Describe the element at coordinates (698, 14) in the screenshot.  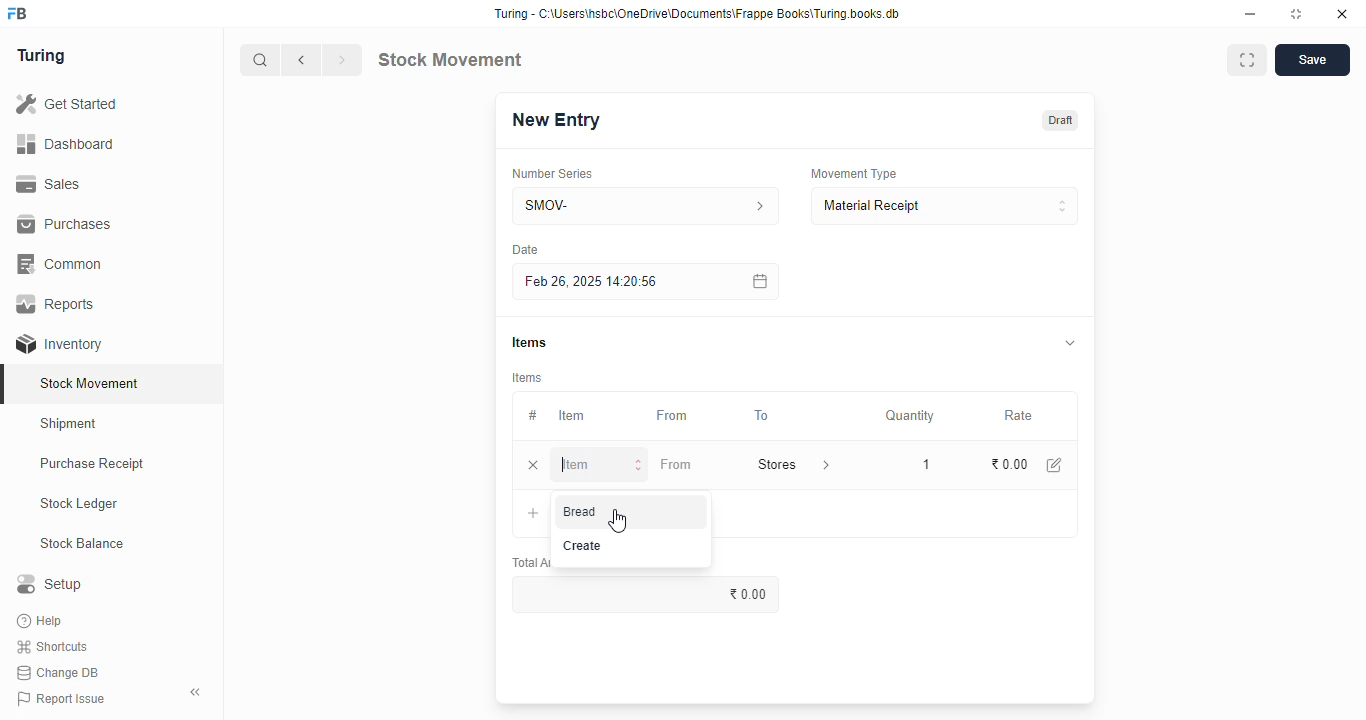
I see `Turing - C:\Users\nsbc\OneDrive\Documents\Frappe Books\Turing books.db` at that location.